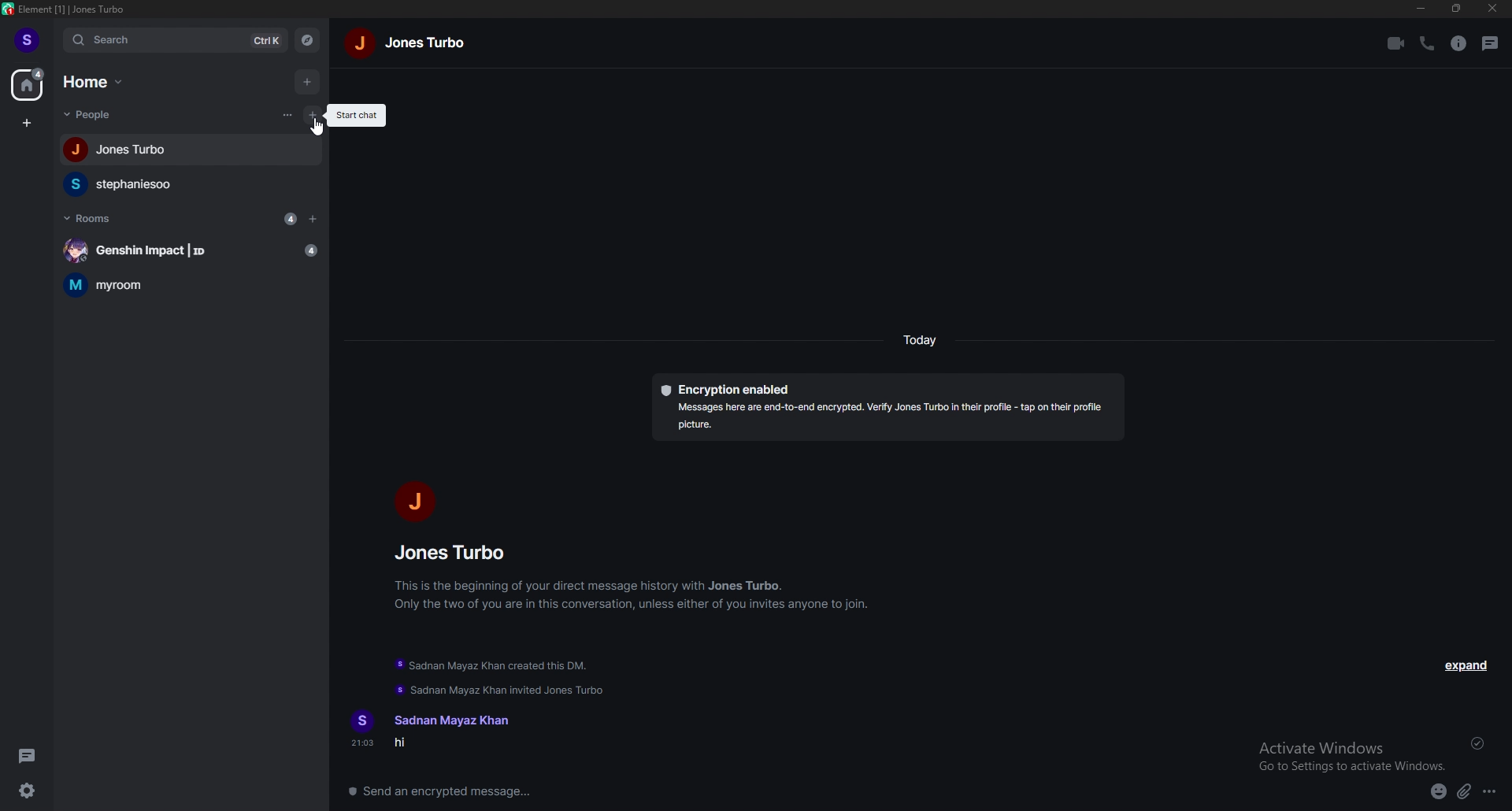 This screenshot has height=811, width=1512. What do you see at coordinates (412, 746) in the screenshot?
I see `hi` at bounding box center [412, 746].